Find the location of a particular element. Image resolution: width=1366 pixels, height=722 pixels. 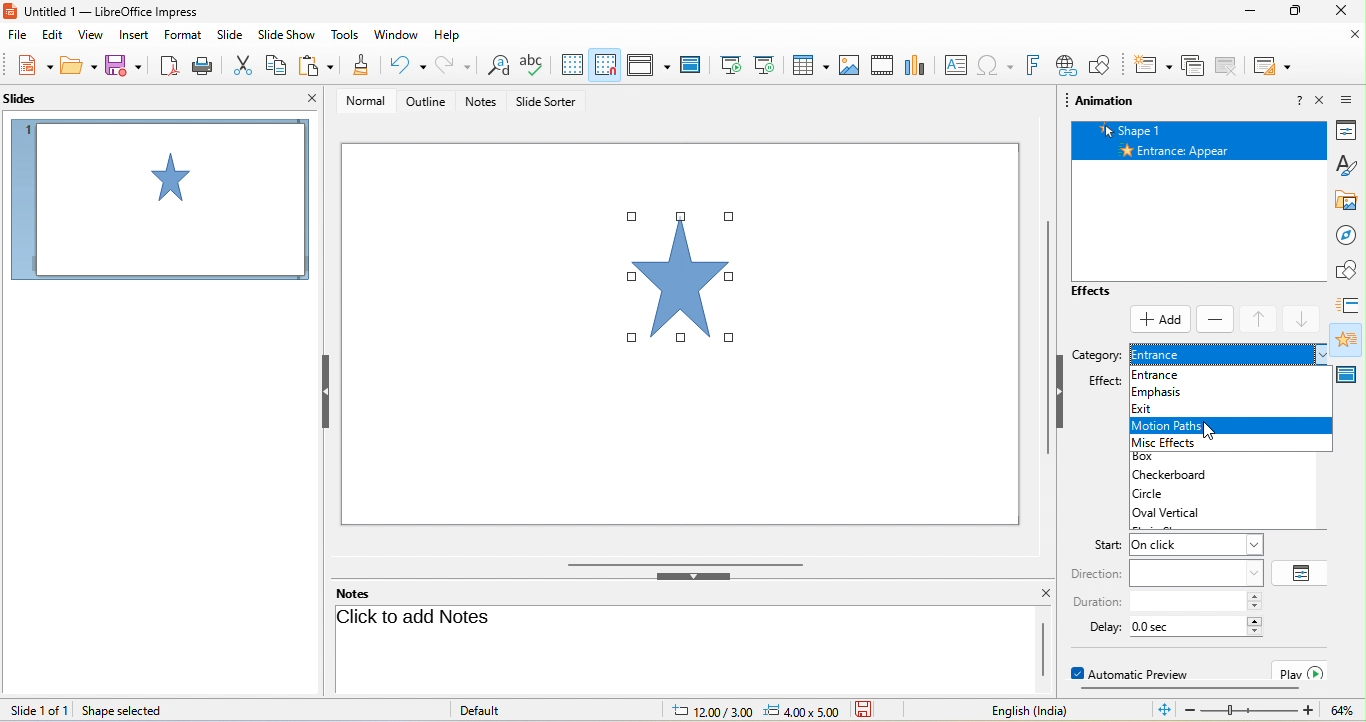

chart is located at coordinates (917, 64).